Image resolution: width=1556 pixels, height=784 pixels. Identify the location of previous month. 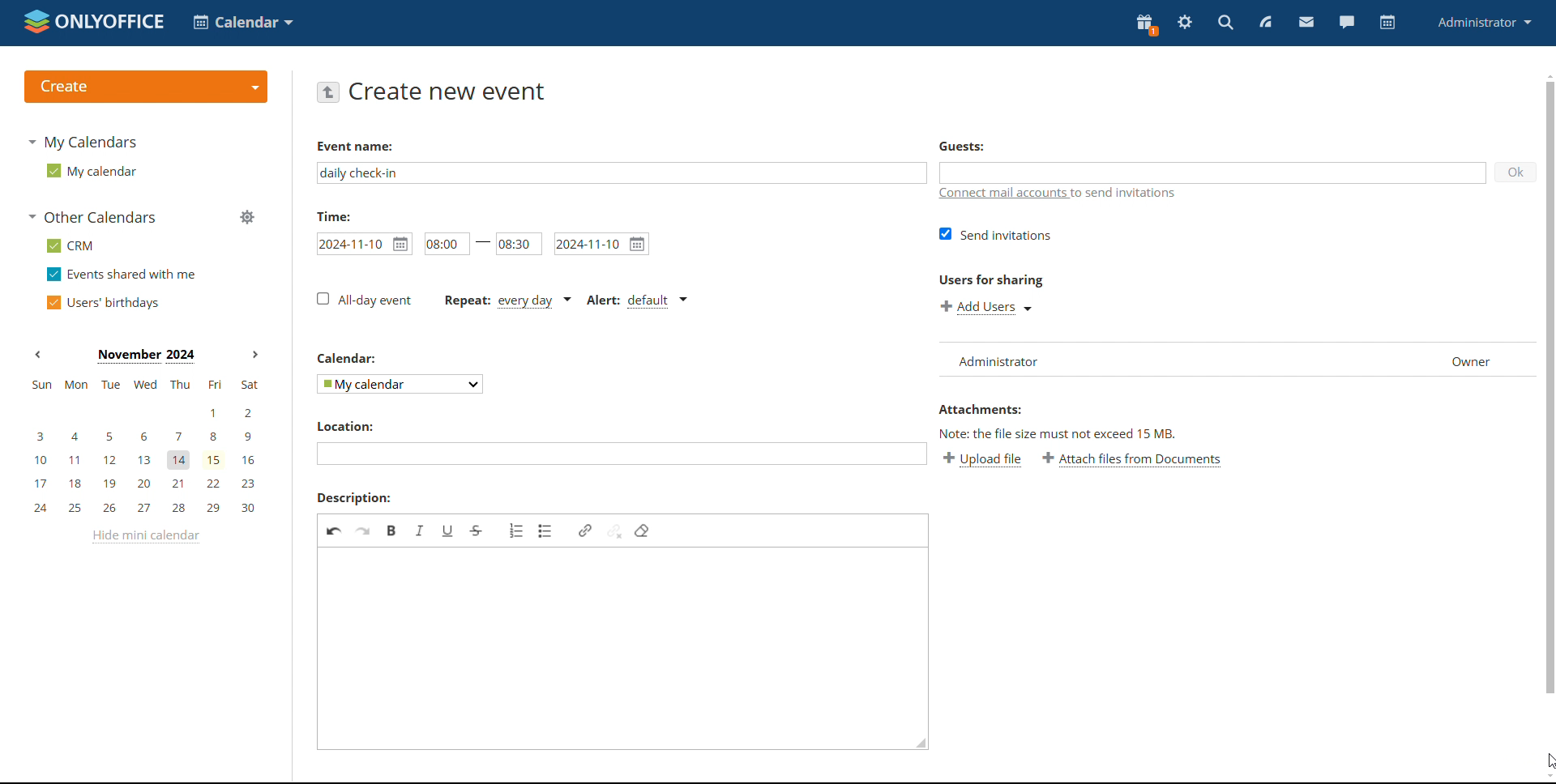
(37, 356).